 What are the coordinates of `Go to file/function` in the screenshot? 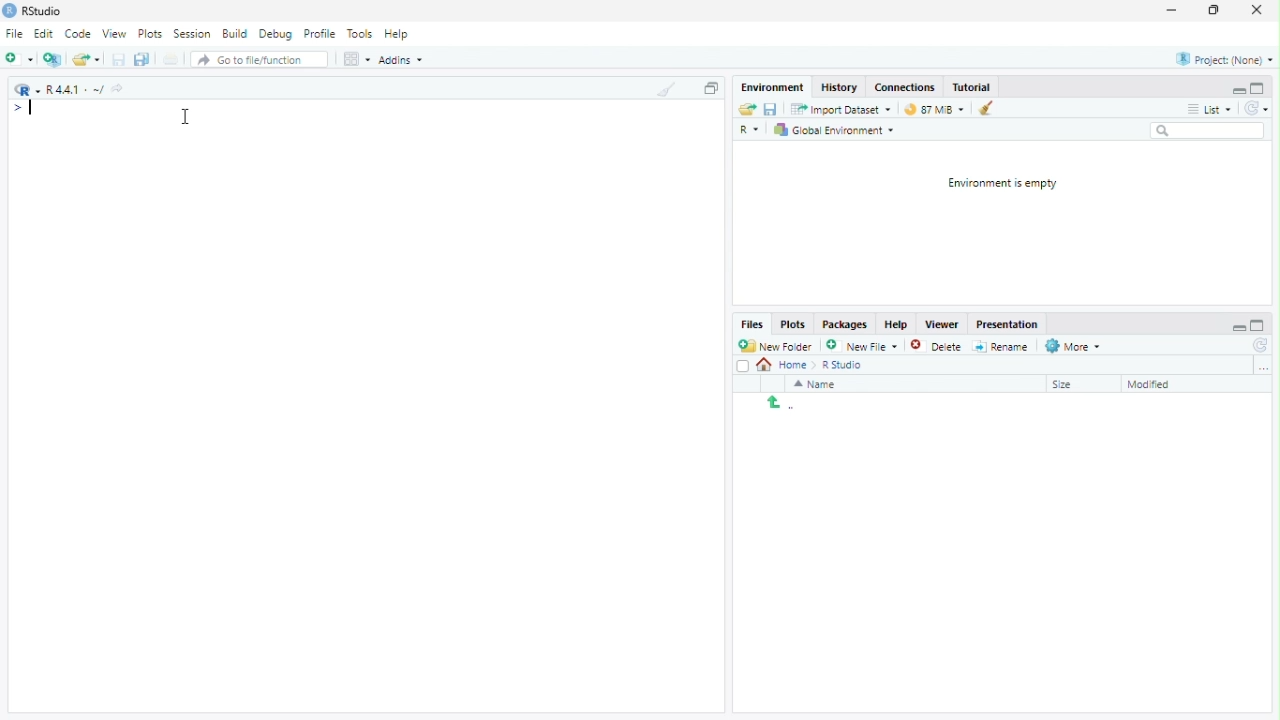 It's located at (252, 60).